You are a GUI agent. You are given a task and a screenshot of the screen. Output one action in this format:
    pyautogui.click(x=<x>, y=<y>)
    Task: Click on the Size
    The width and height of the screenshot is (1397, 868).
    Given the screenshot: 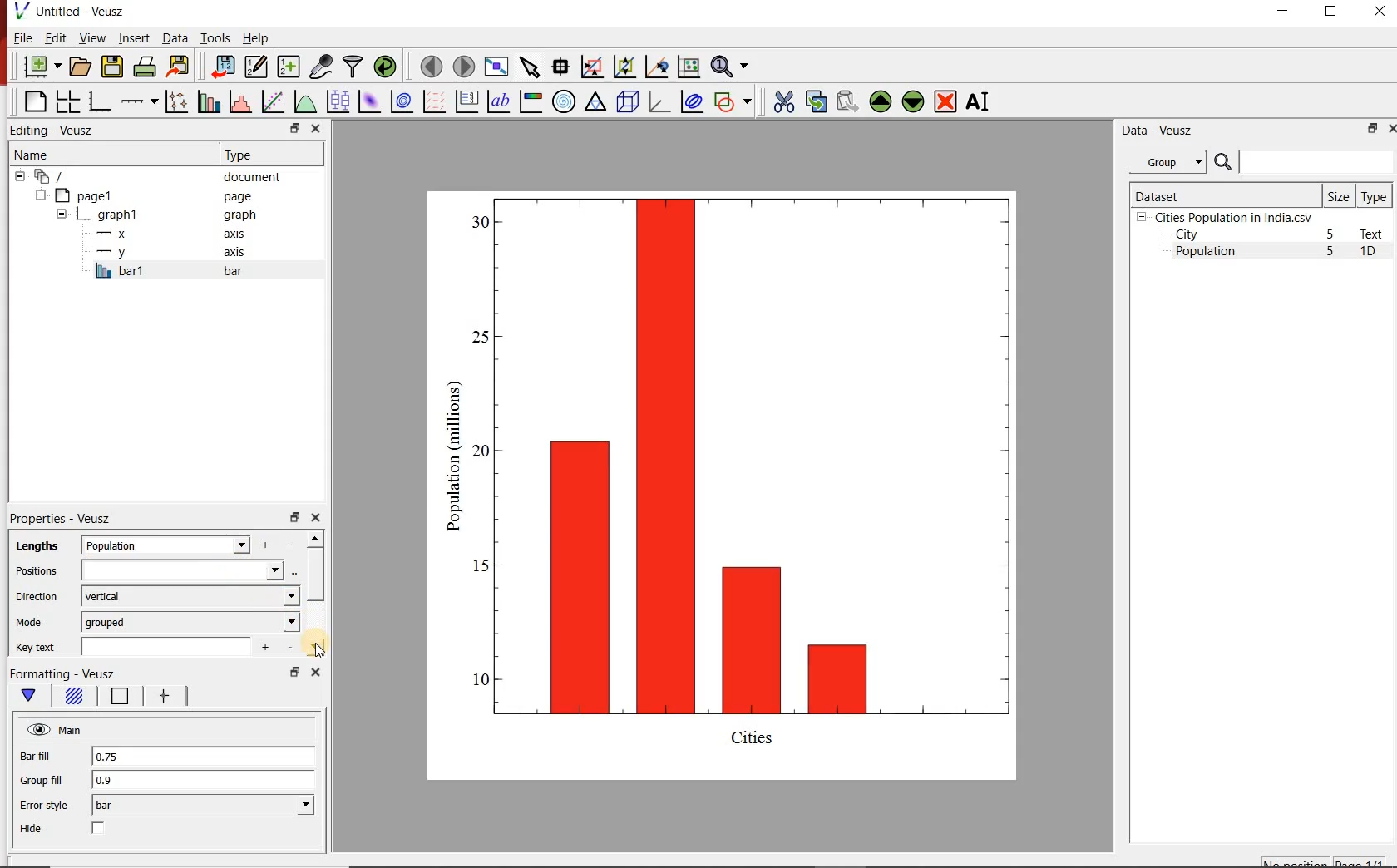 What is the action you would take?
    pyautogui.click(x=1339, y=195)
    